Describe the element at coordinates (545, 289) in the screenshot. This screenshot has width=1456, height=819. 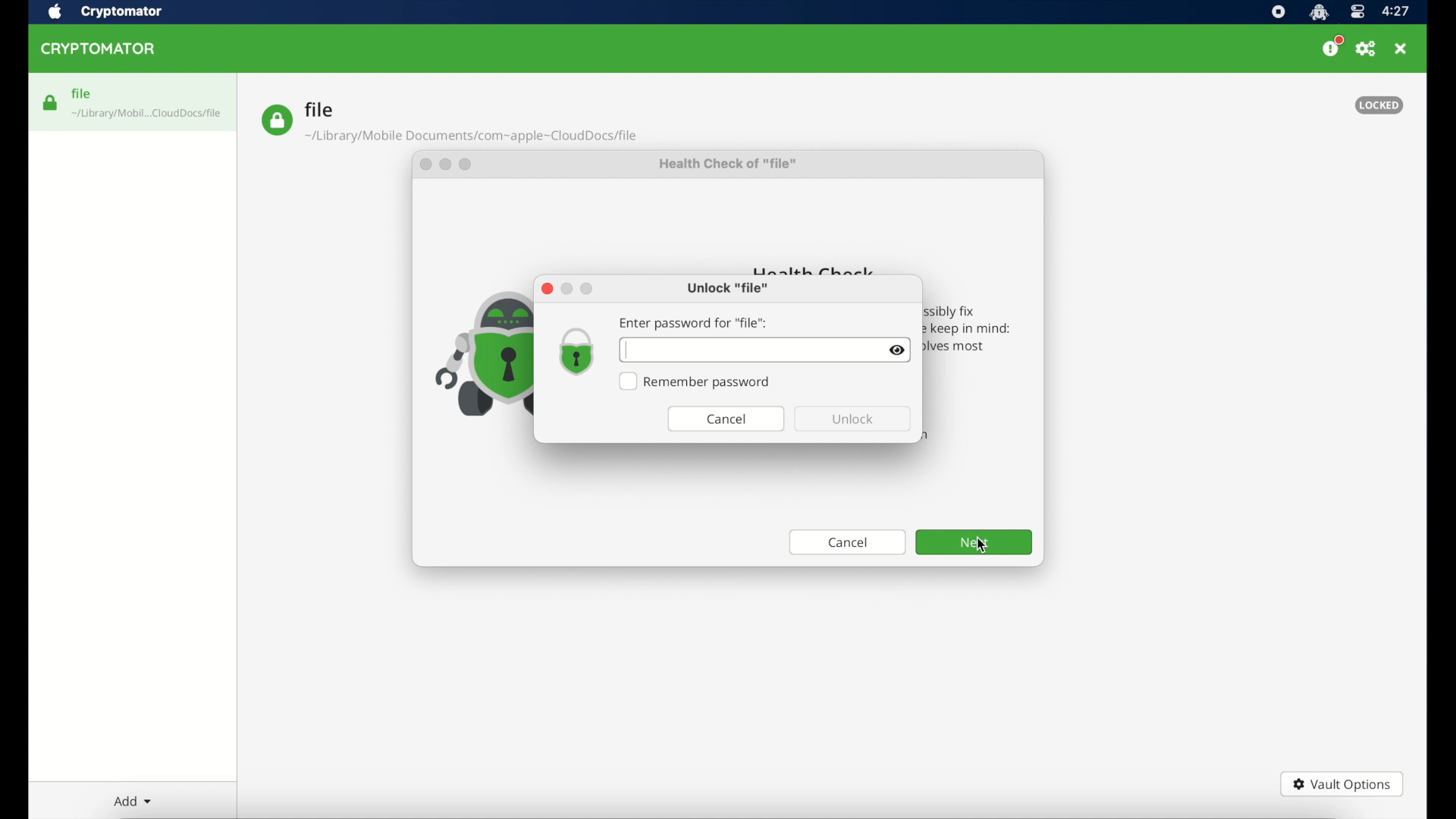
I see `close` at that location.